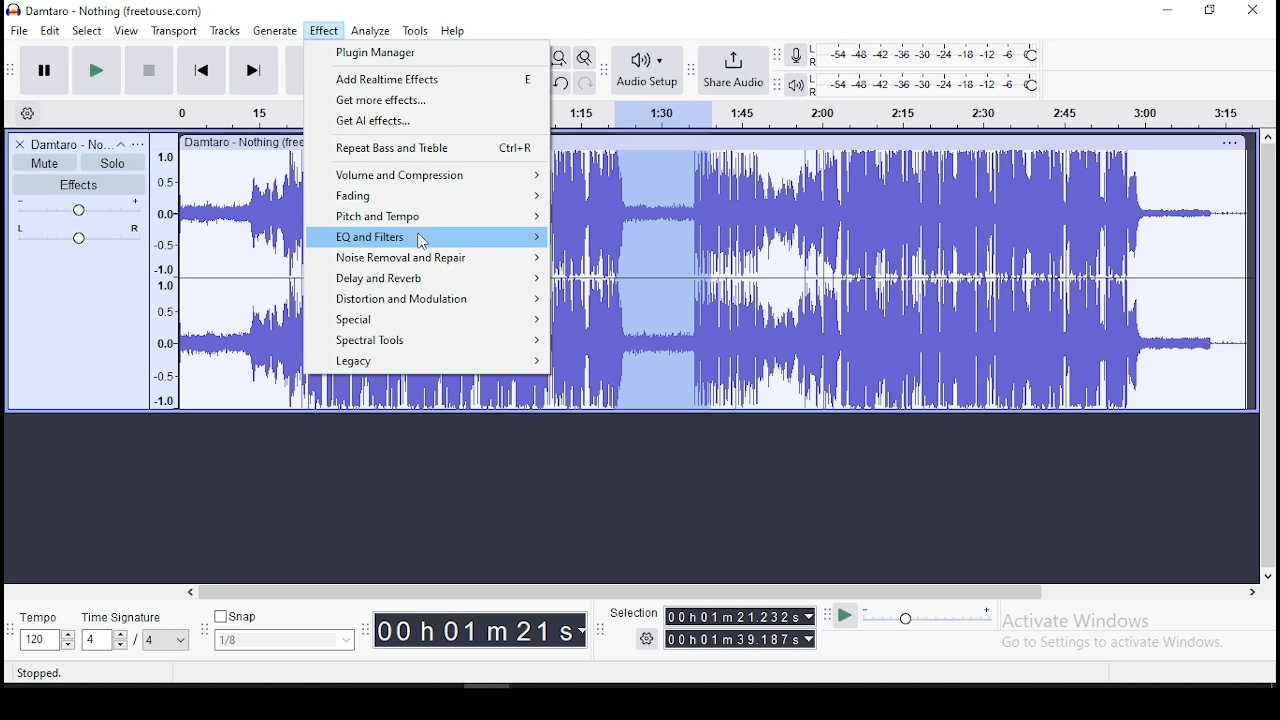  What do you see at coordinates (94, 640) in the screenshot?
I see `4` at bounding box center [94, 640].